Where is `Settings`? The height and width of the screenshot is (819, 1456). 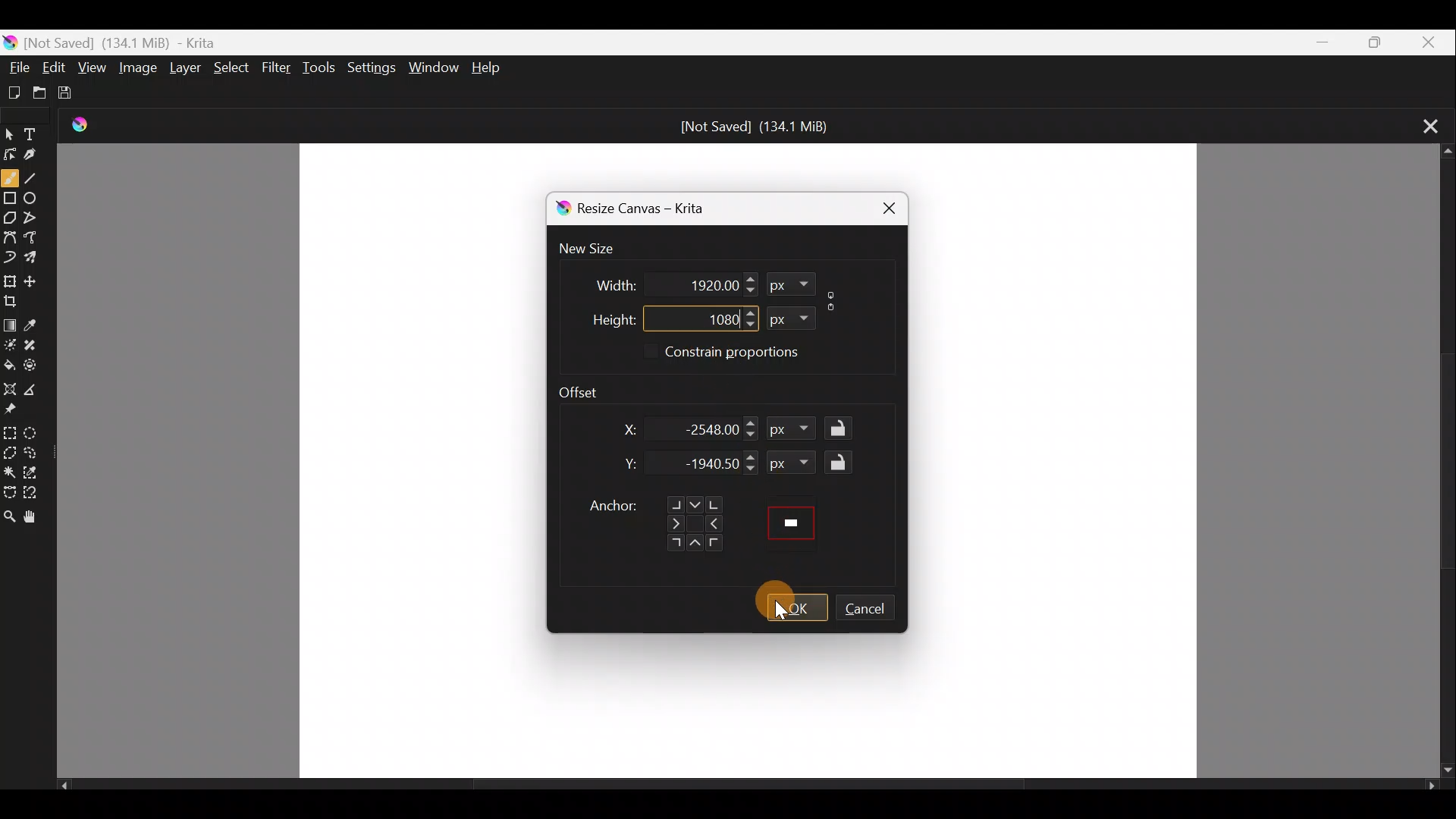
Settings is located at coordinates (369, 67).